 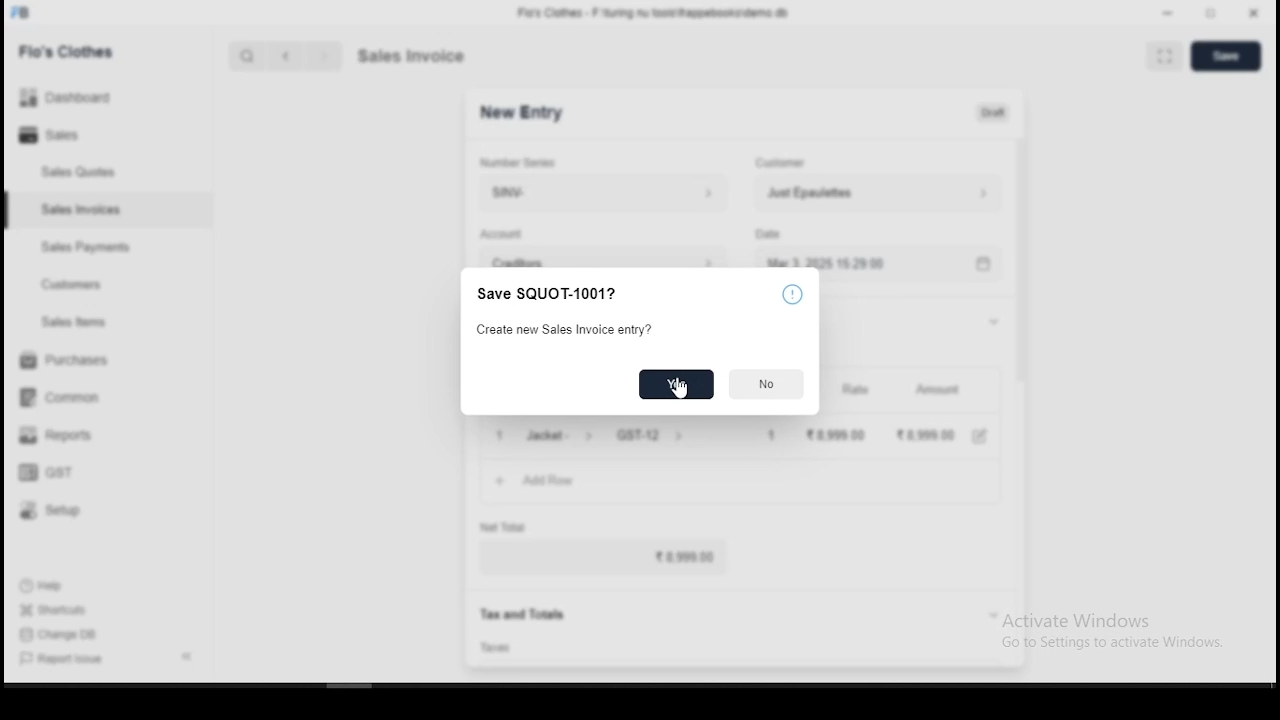 I want to click on FB, so click(x=35, y=12).